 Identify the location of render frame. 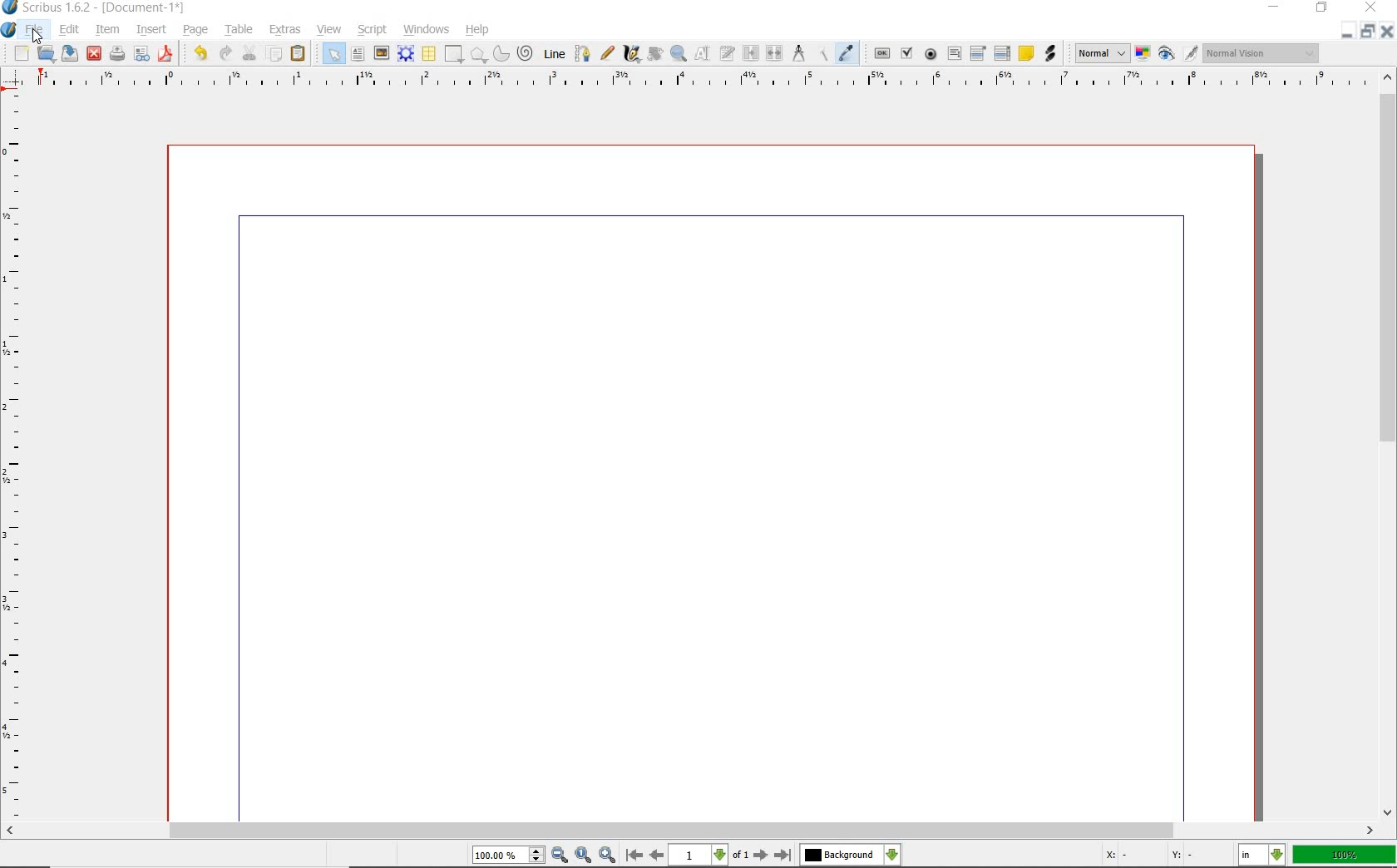
(405, 54).